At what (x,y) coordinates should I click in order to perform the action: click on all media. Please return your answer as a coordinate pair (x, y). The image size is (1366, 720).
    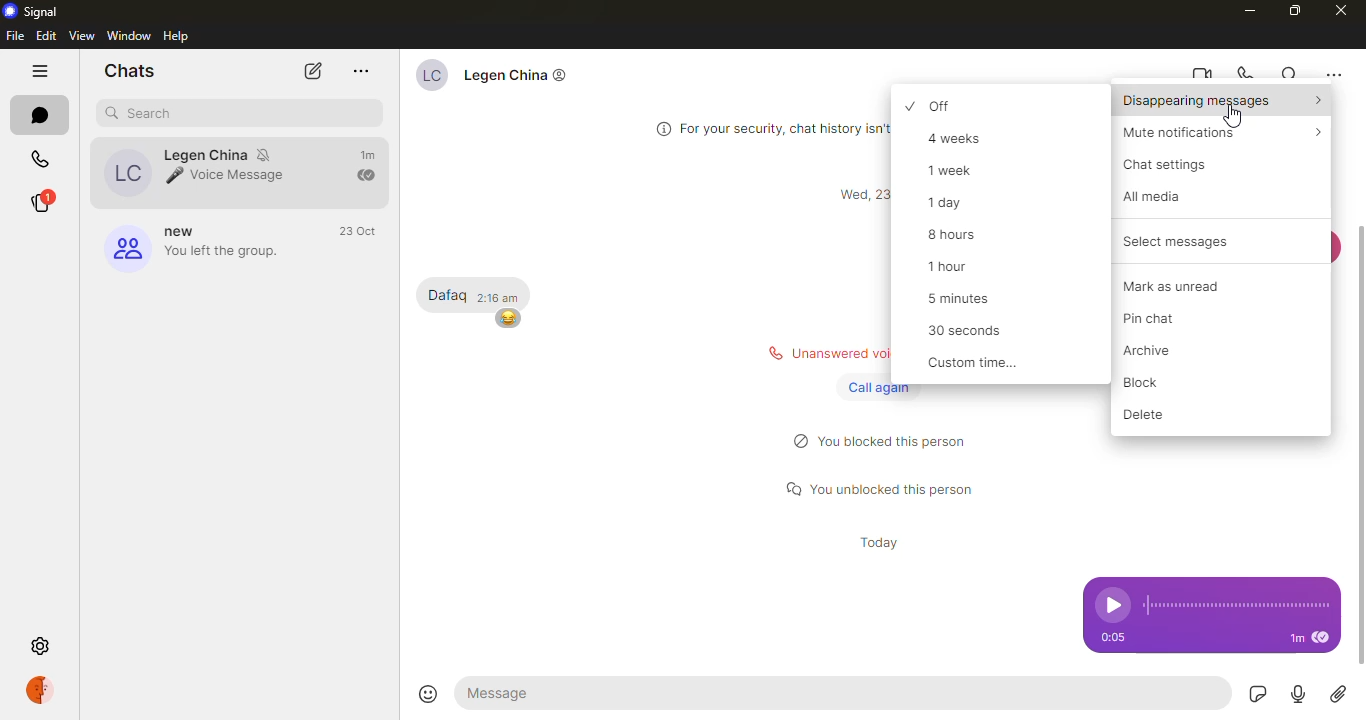
    Looking at the image, I should click on (1159, 196).